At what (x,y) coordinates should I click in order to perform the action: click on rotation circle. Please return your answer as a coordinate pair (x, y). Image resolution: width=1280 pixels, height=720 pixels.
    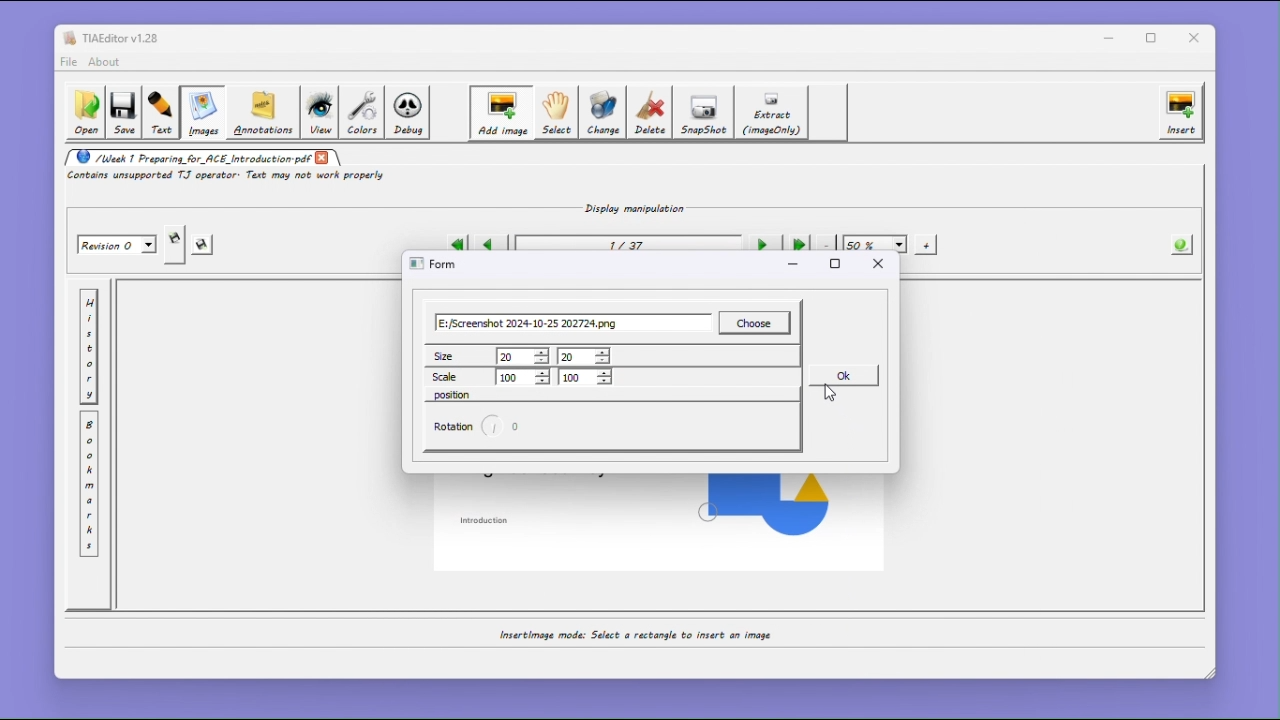
    Looking at the image, I should click on (490, 427).